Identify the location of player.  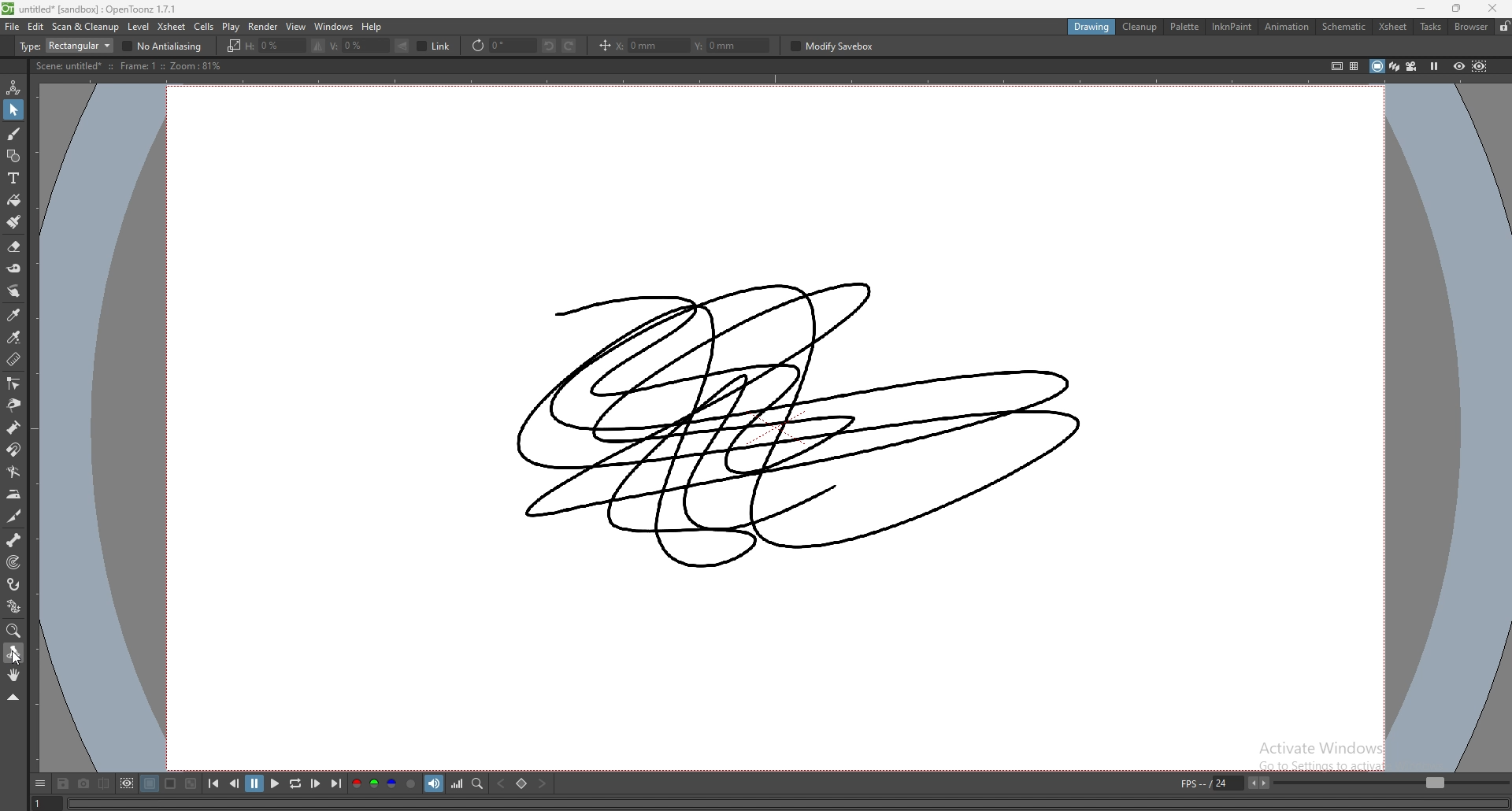
(785, 804).